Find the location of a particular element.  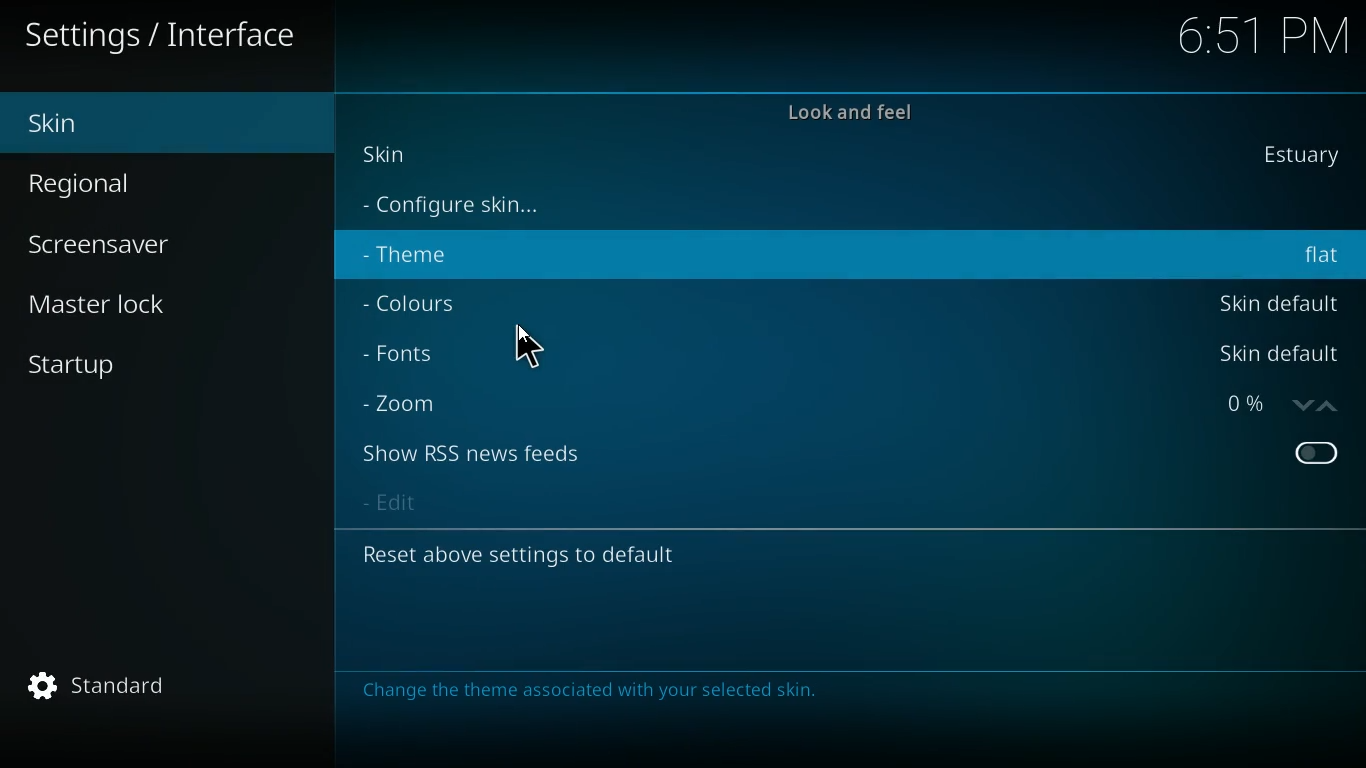

Cursor is located at coordinates (525, 345).